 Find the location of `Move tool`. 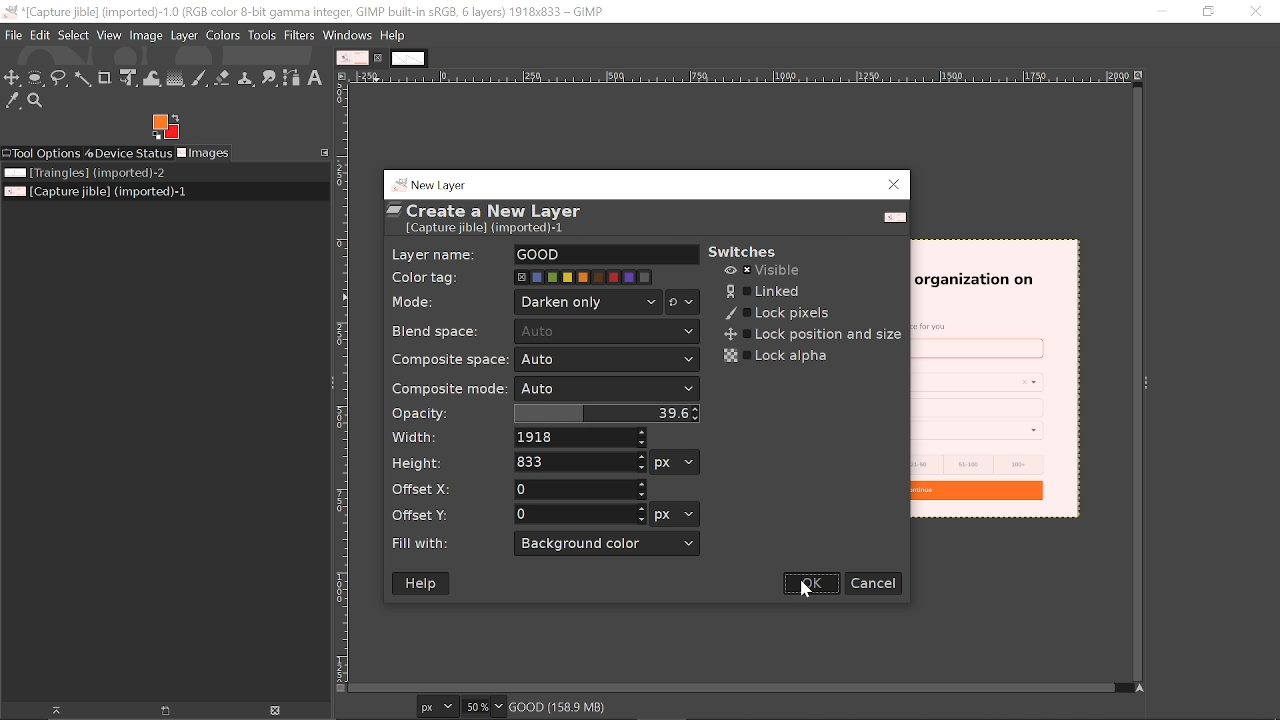

Move tool is located at coordinates (13, 78).